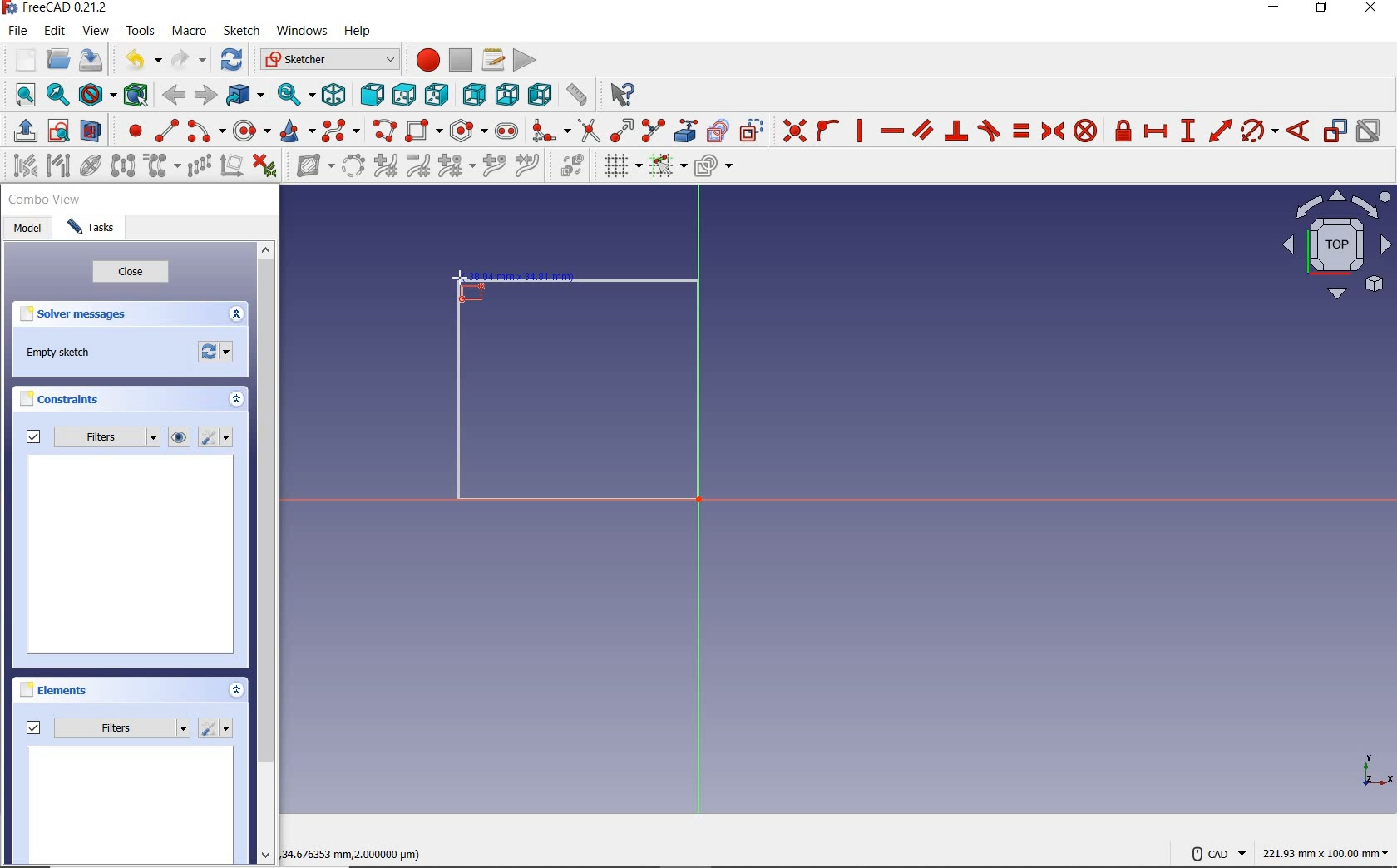 The image size is (1397, 868). Describe the element at coordinates (190, 32) in the screenshot. I see `macro` at that location.